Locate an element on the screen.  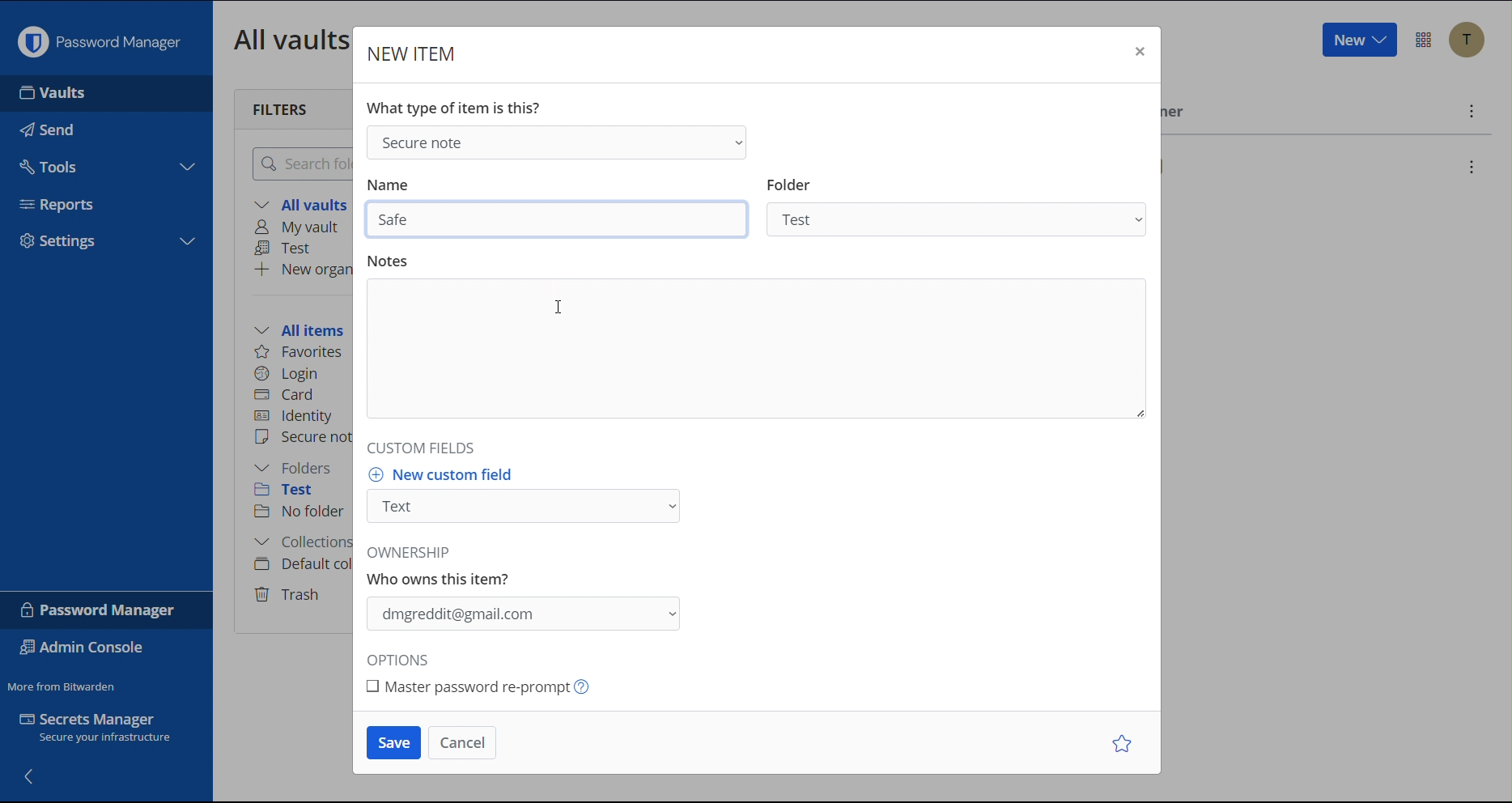
folder is located at coordinates (788, 185).